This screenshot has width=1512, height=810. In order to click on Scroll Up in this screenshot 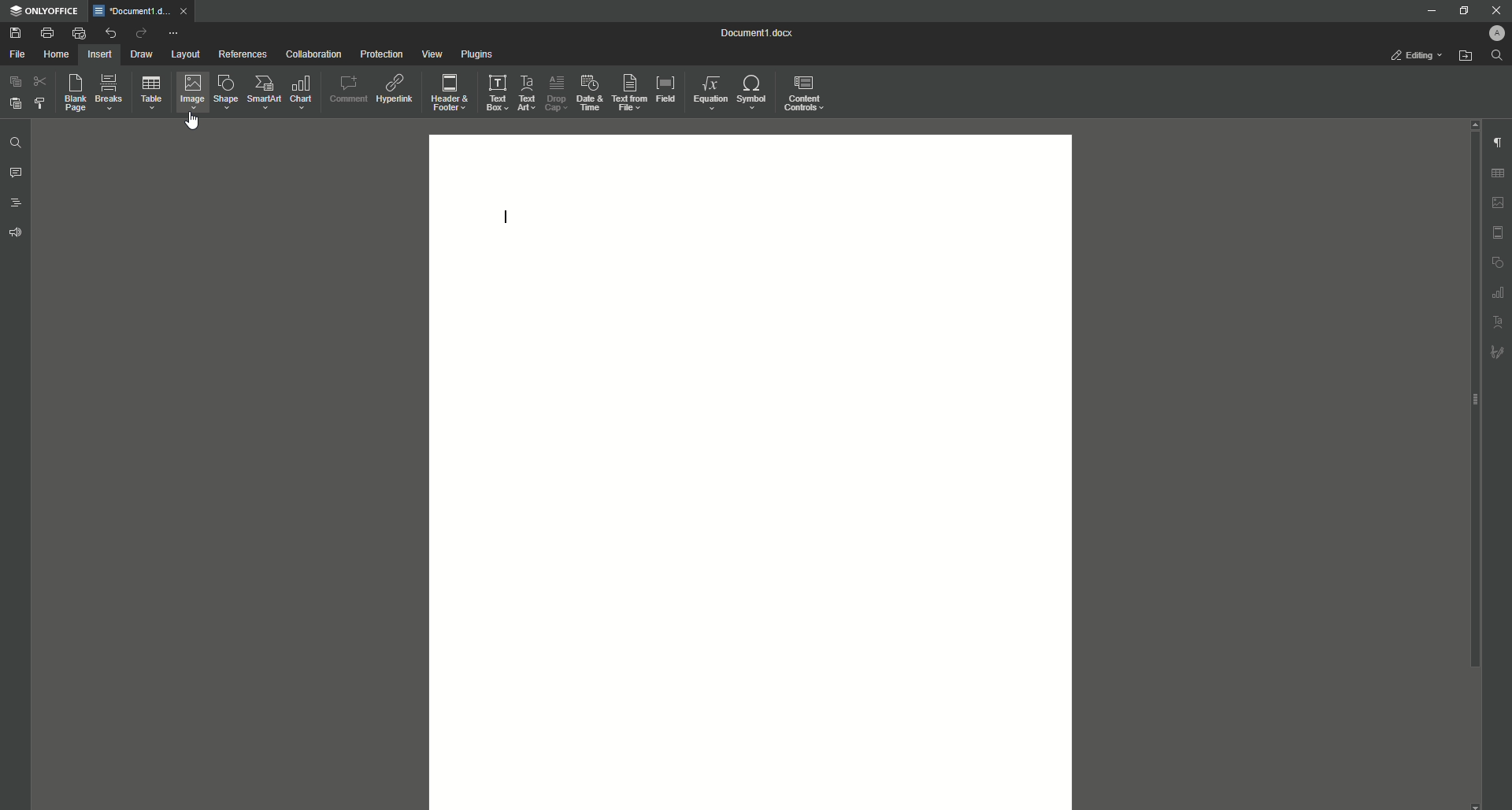, I will do `click(1471, 124)`.